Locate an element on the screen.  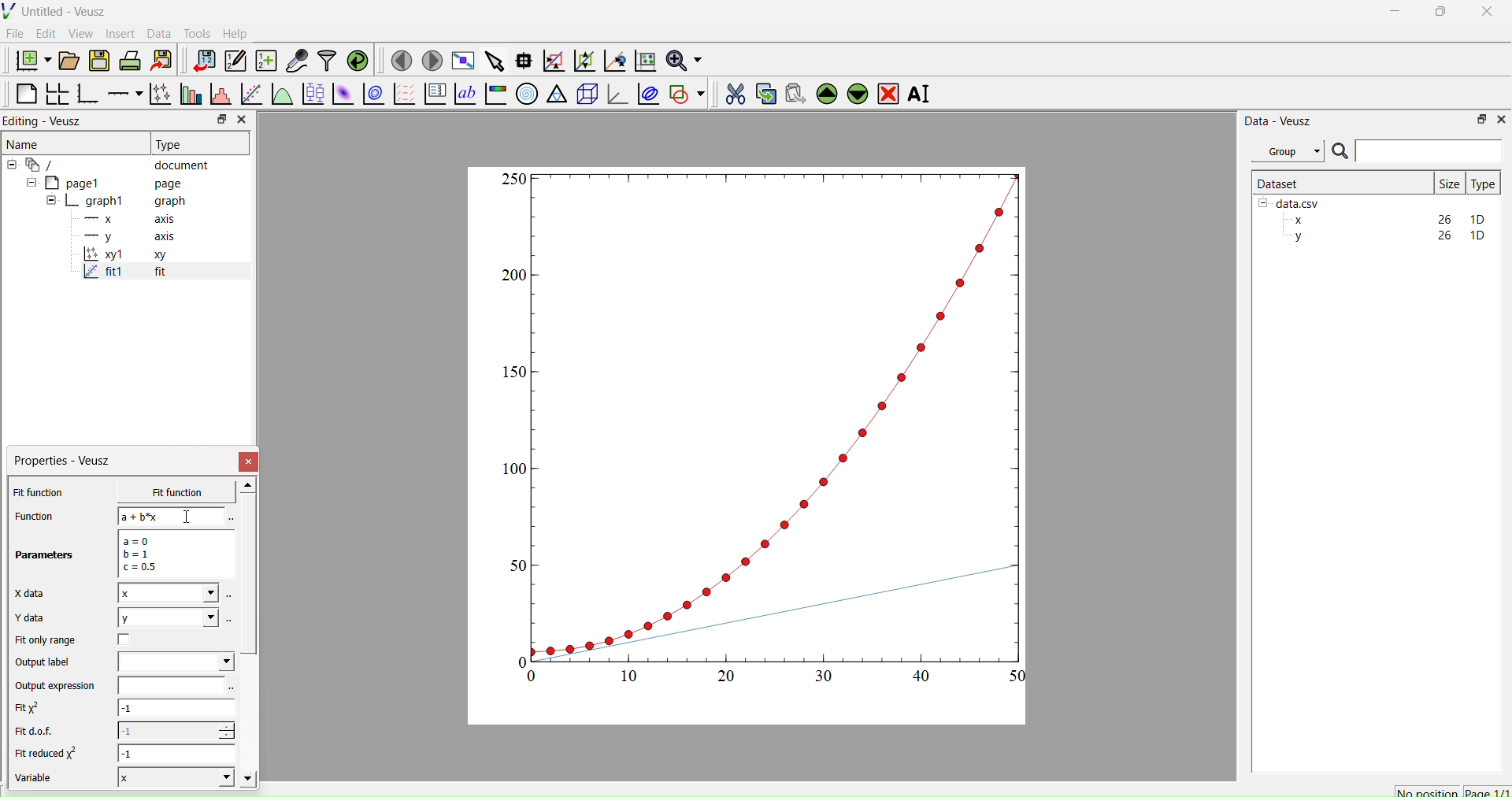
-1 is located at coordinates (176, 710).